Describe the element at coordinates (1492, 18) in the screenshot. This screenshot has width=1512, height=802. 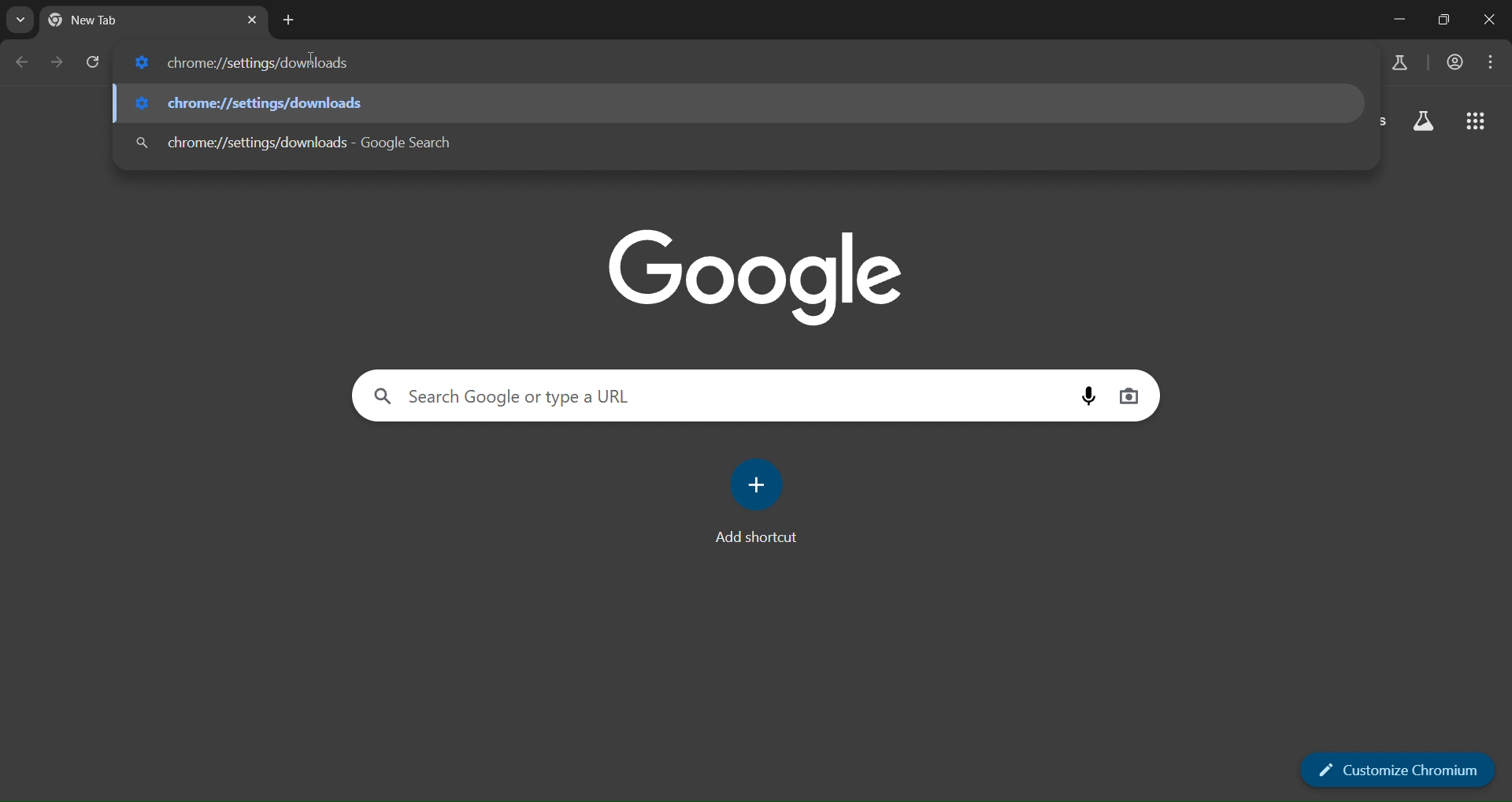
I see `close` at that location.